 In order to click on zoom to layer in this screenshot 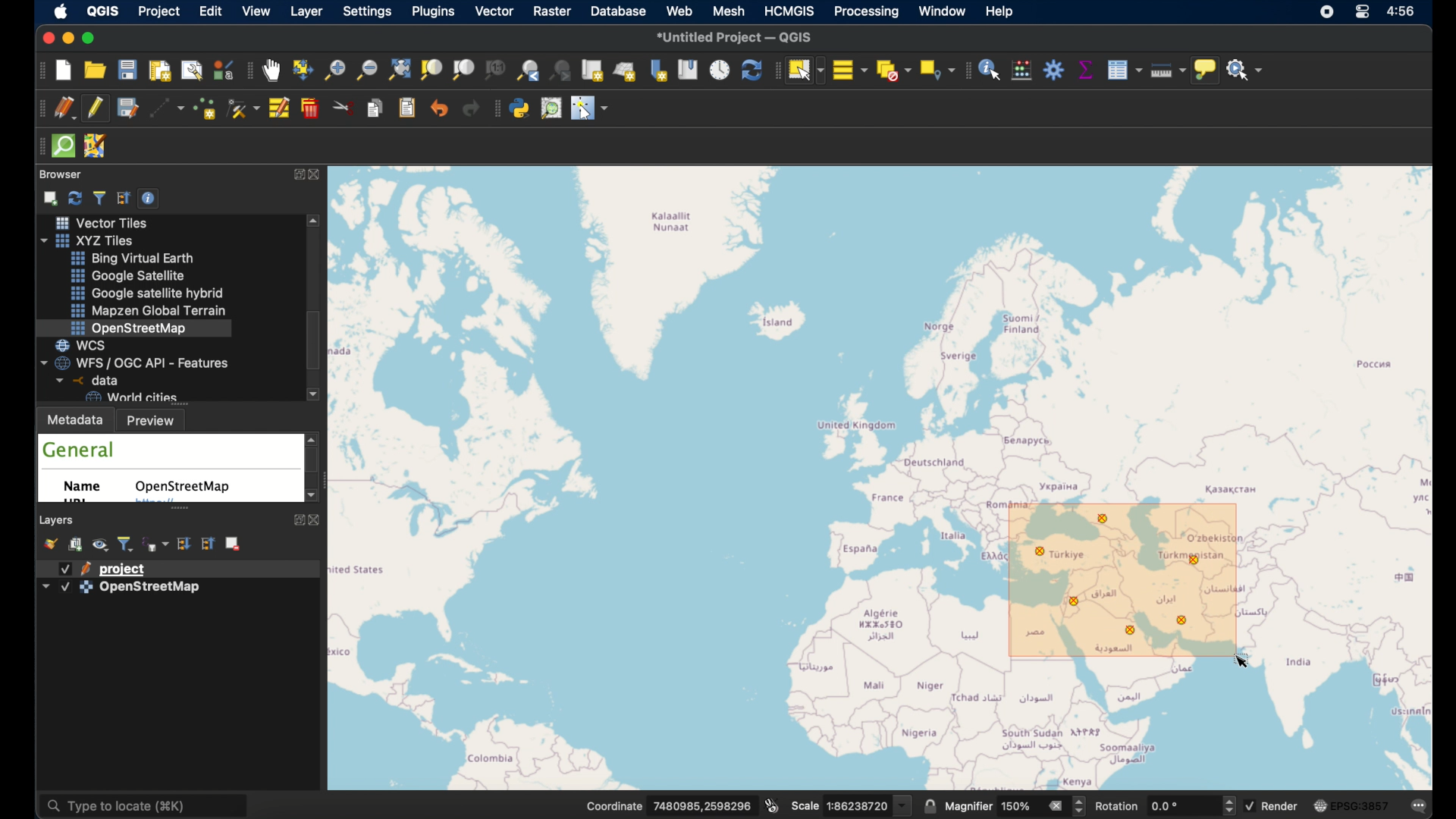, I will do `click(463, 71)`.